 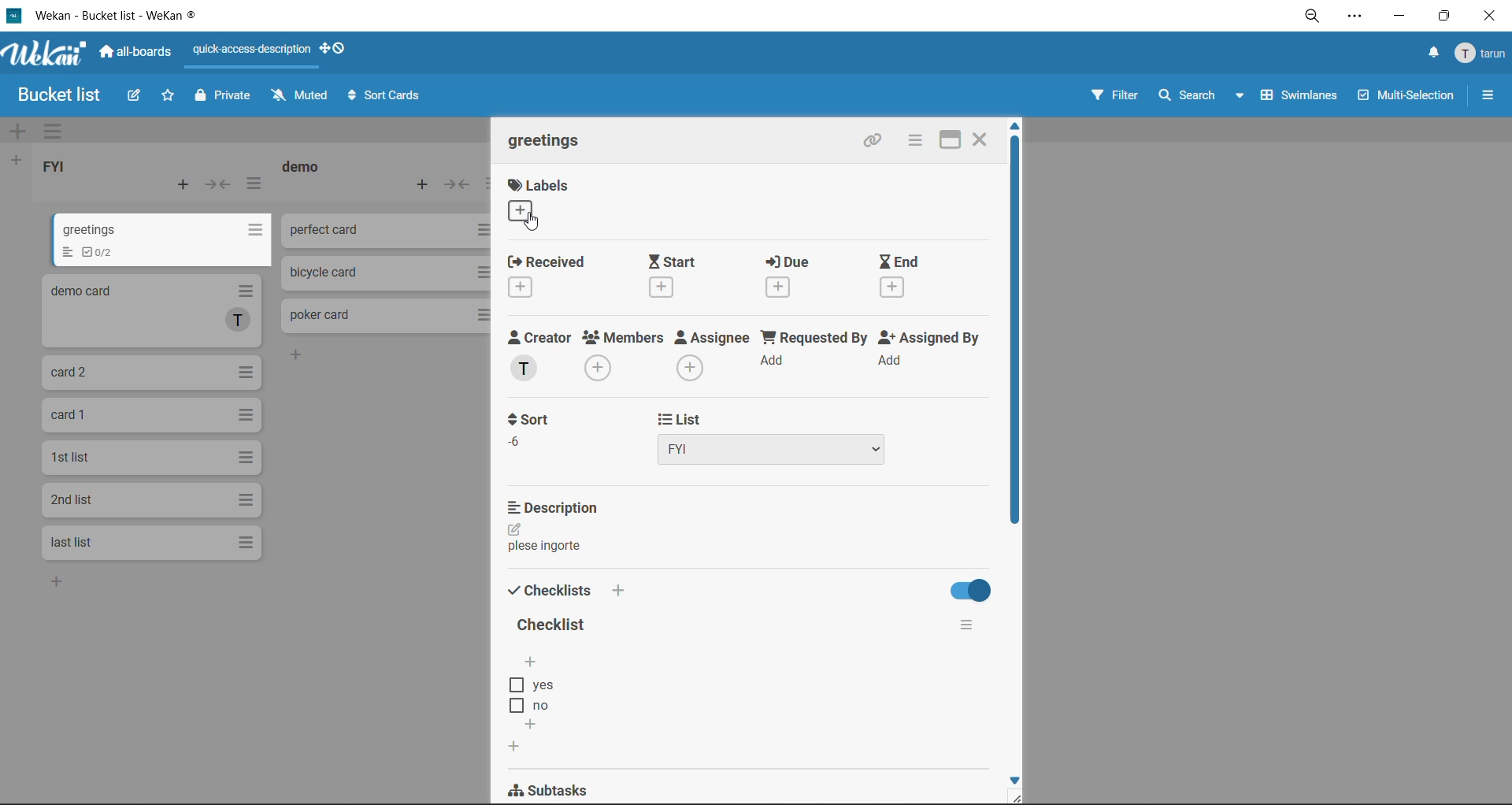 I want to click on filter, so click(x=1114, y=101).